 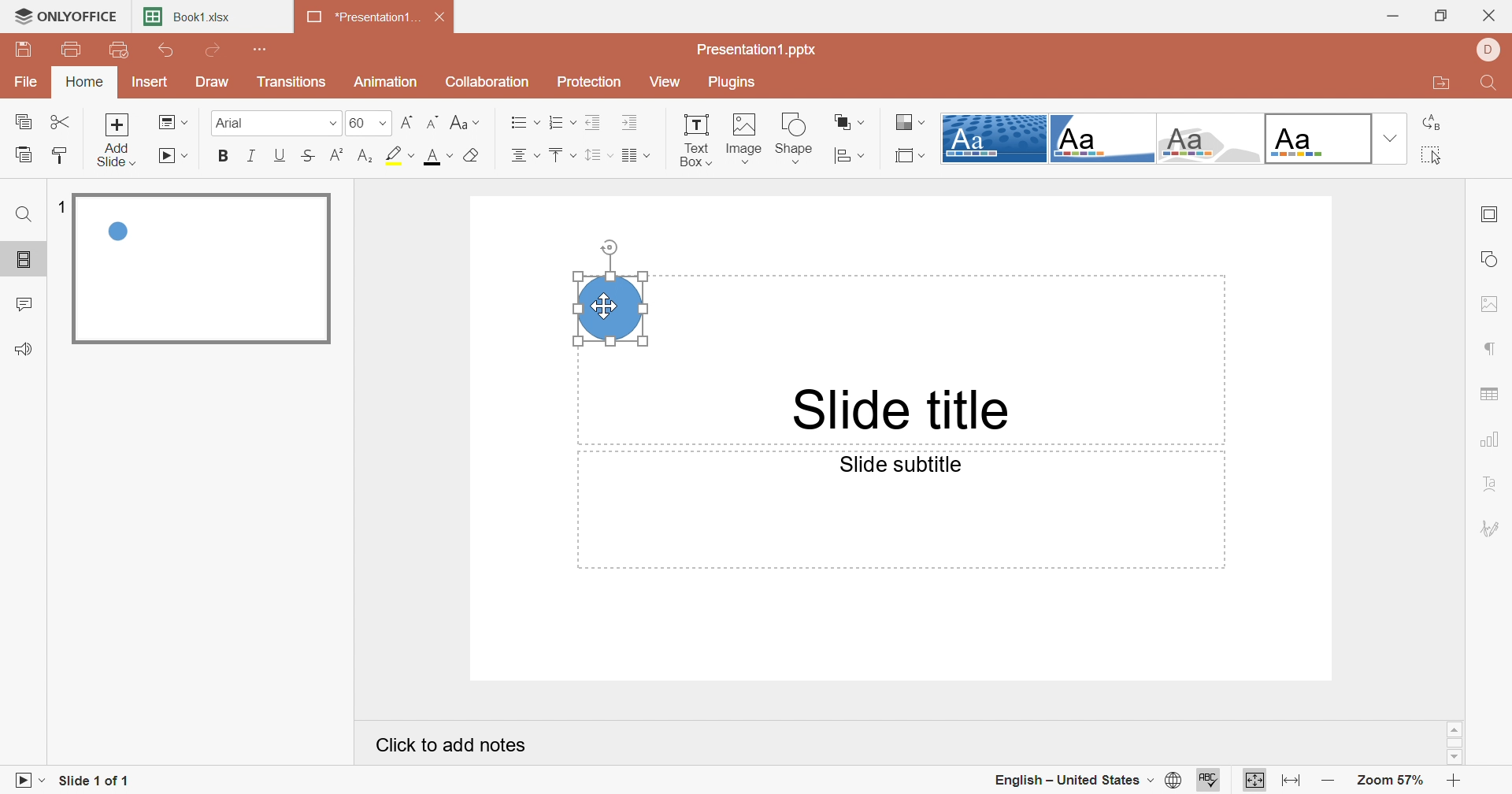 What do you see at coordinates (593, 82) in the screenshot?
I see `Protection` at bounding box center [593, 82].